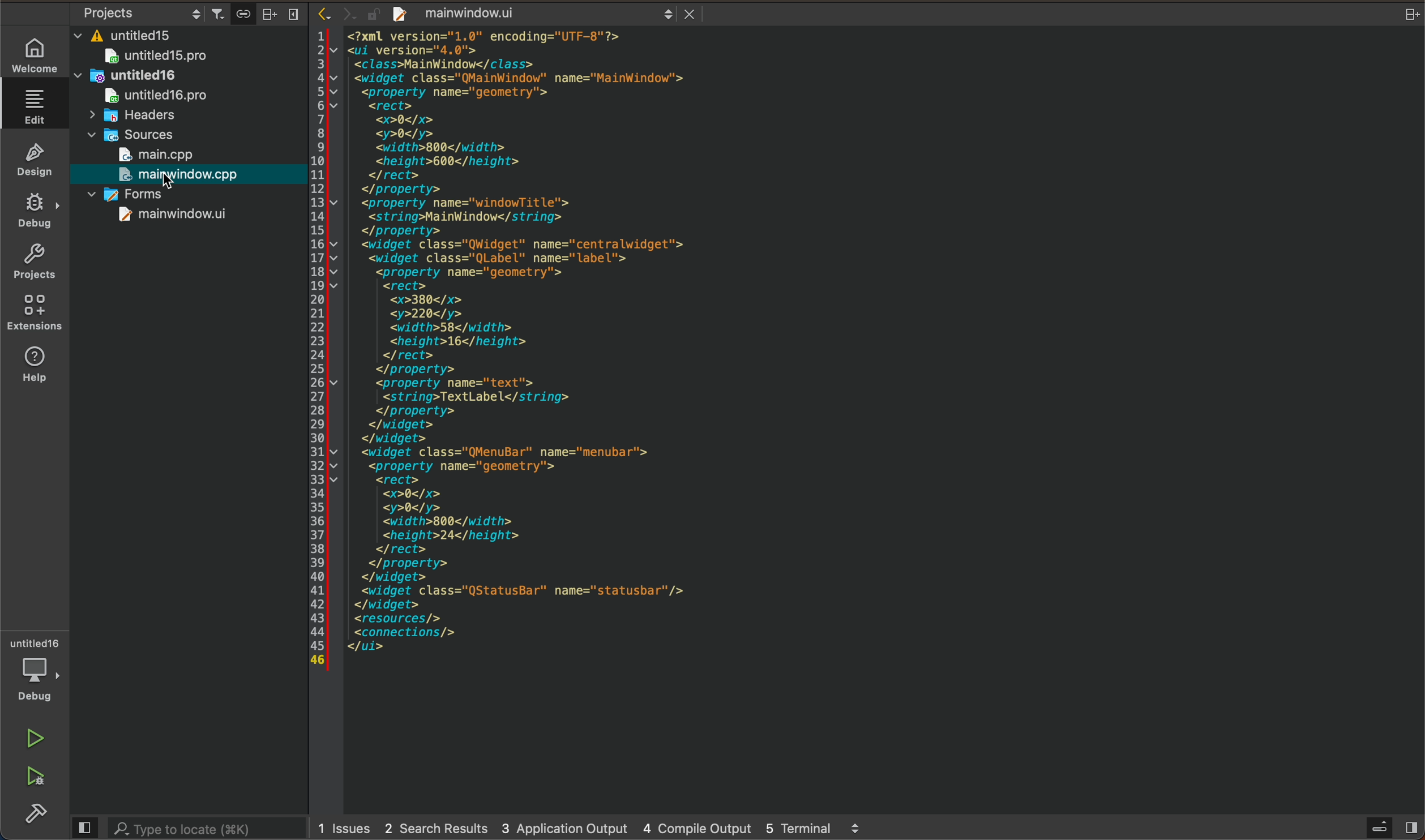 The width and height of the screenshot is (1425, 840). I want to click on main.cpp, so click(188, 156).